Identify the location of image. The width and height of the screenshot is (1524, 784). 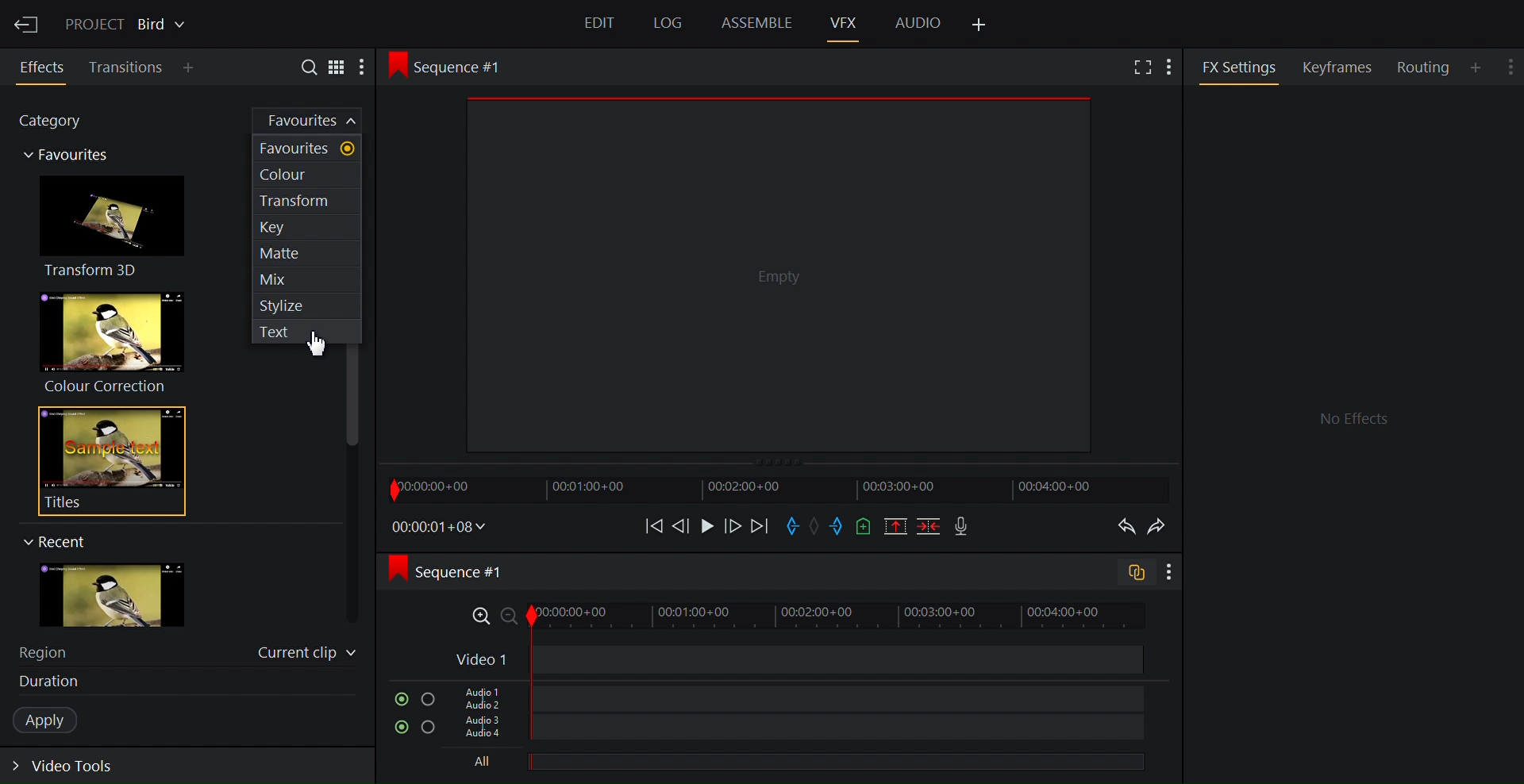
(128, 596).